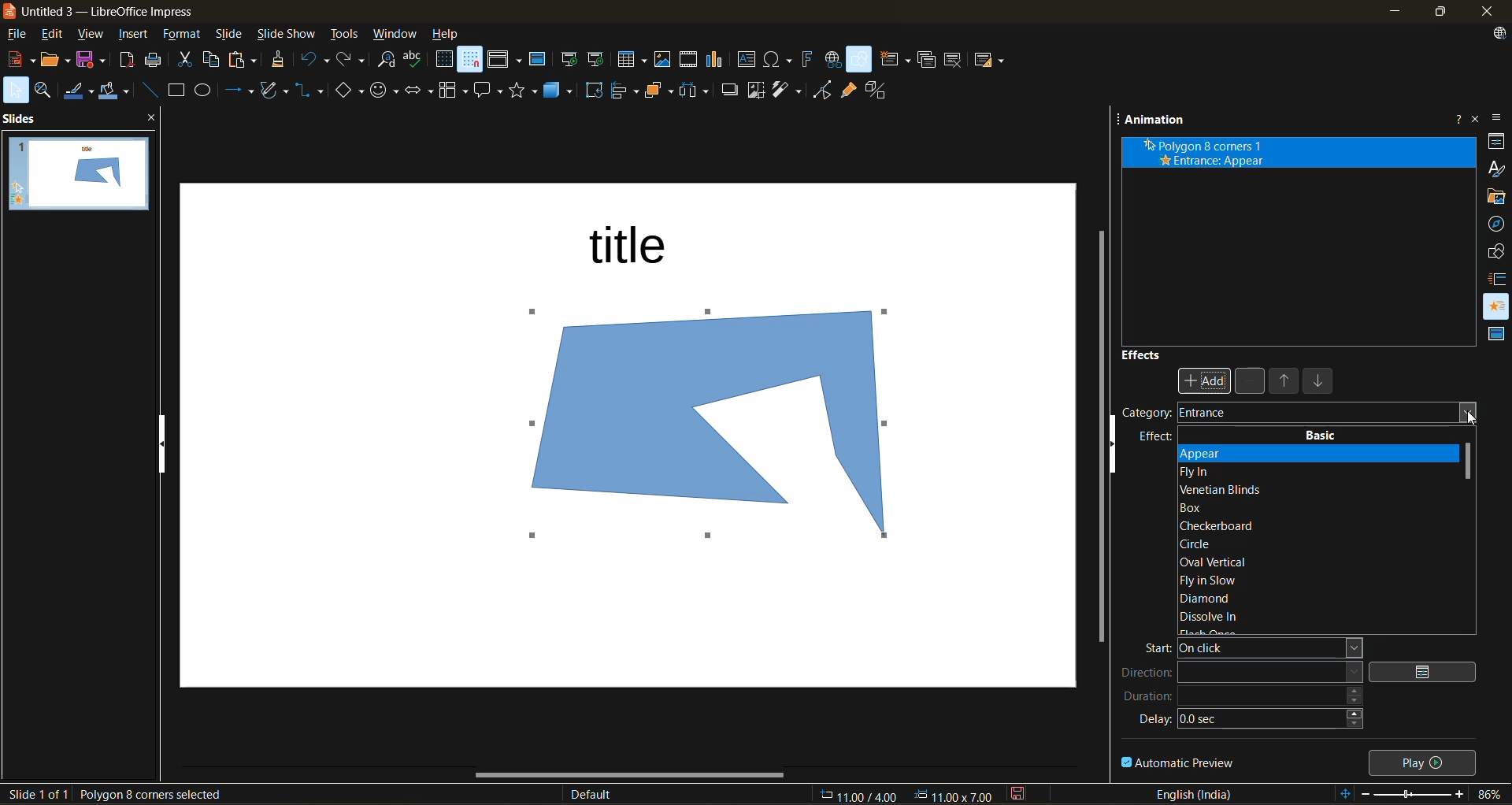 Image resolution: width=1512 pixels, height=805 pixels. What do you see at coordinates (91, 36) in the screenshot?
I see `view` at bounding box center [91, 36].